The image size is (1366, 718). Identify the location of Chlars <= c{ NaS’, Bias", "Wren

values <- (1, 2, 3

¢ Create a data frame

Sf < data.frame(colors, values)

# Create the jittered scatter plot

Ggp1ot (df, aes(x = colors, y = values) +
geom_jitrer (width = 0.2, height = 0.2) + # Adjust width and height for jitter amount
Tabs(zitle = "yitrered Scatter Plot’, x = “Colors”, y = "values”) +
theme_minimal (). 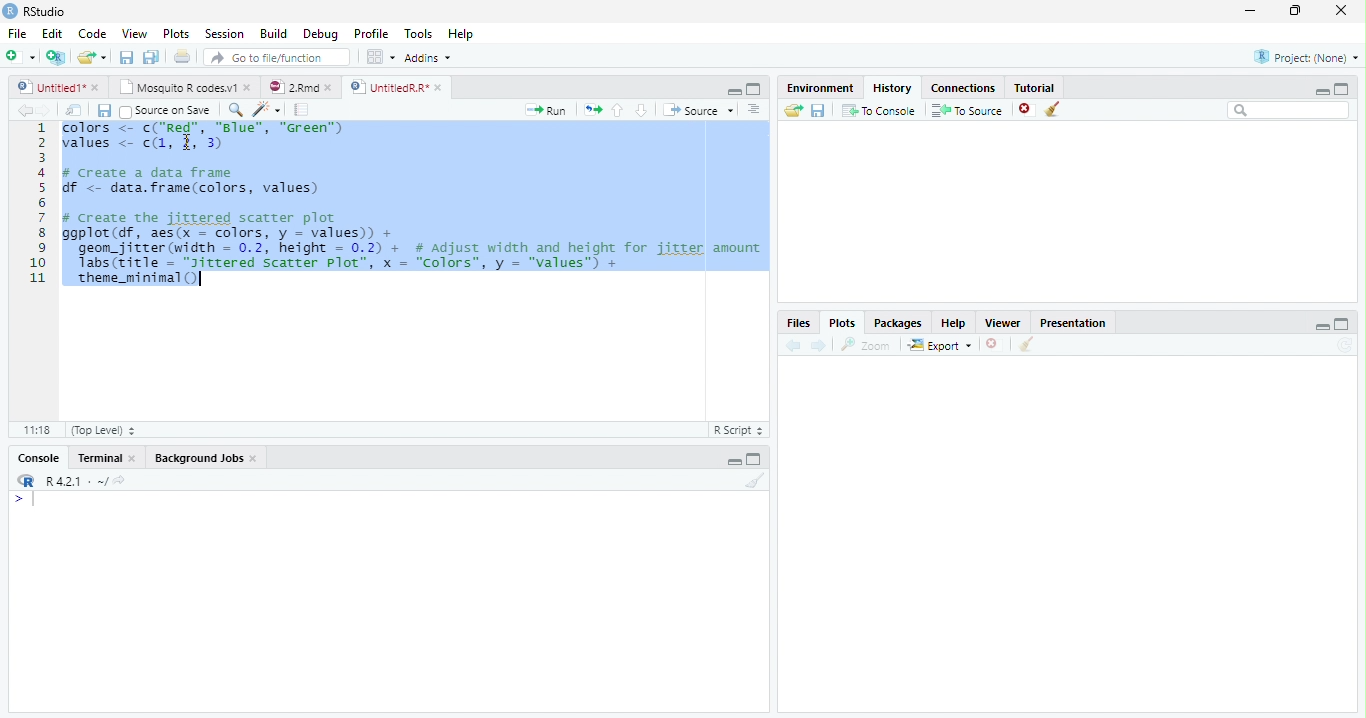
(415, 204).